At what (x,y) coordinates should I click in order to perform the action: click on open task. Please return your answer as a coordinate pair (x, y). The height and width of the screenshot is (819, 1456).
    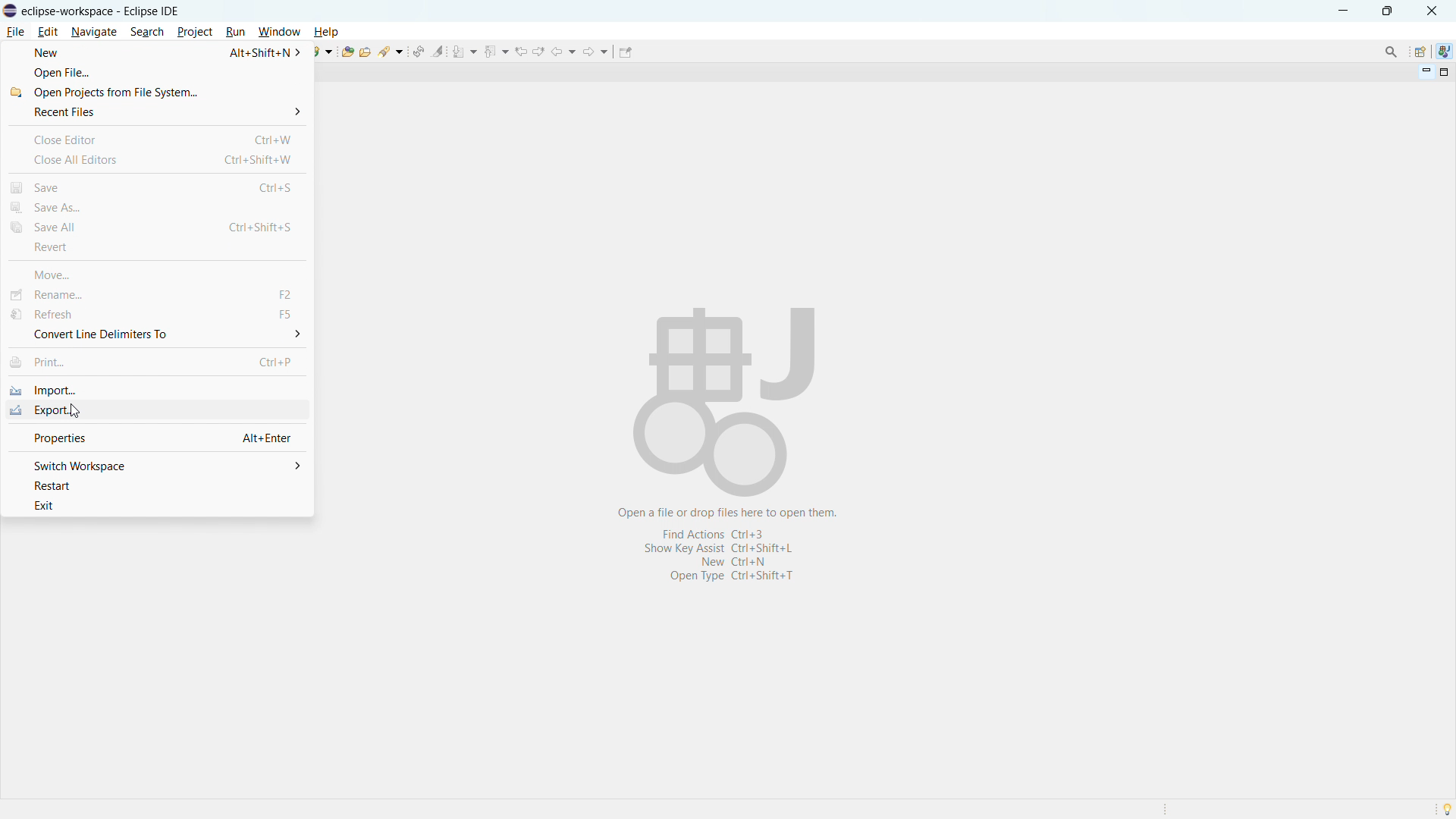
    Looking at the image, I should click on (365, 50).